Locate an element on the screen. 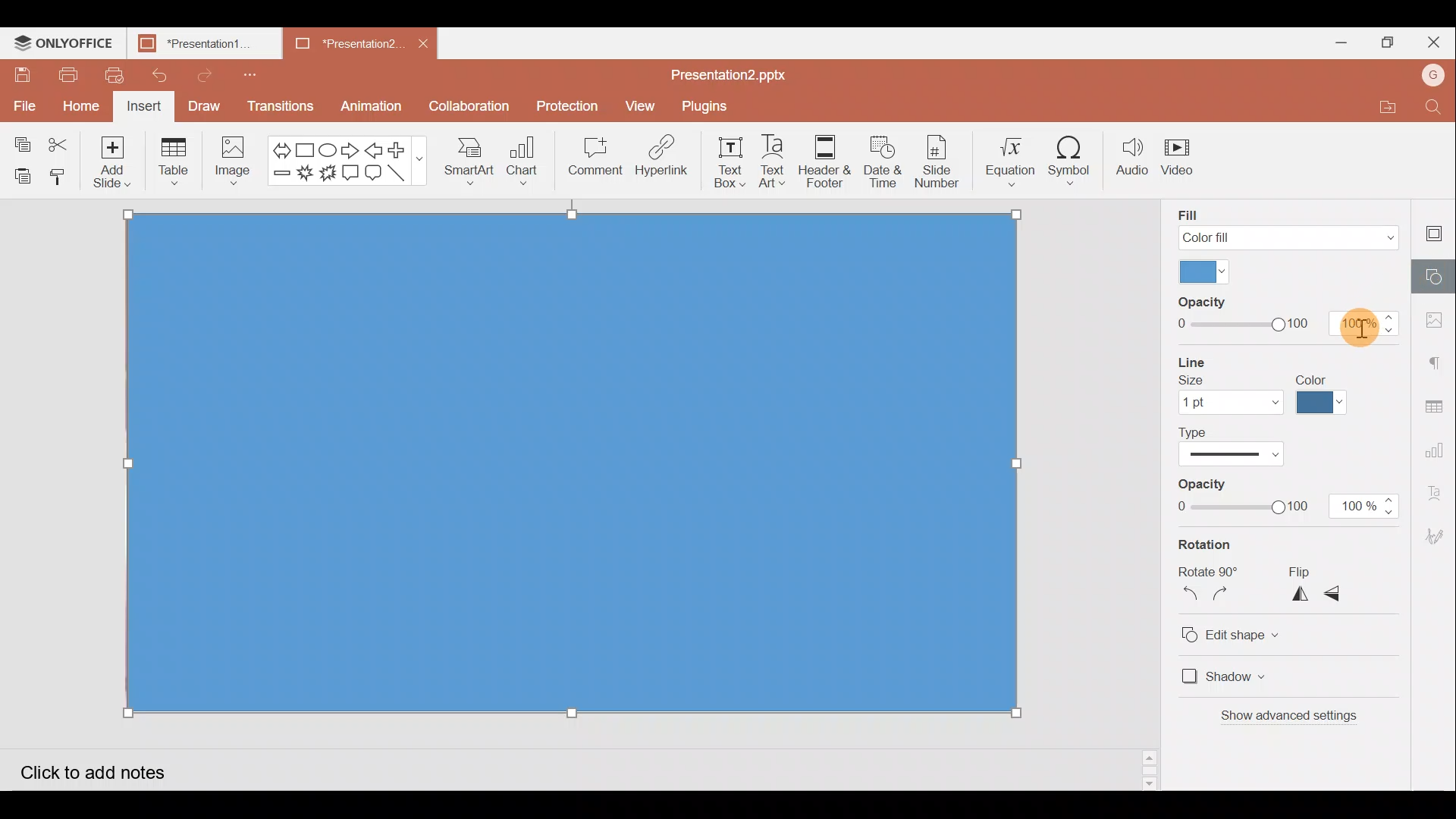 The height and width of the screenshot is (819, 1456). Fill is located at coordinates (1283, 224).